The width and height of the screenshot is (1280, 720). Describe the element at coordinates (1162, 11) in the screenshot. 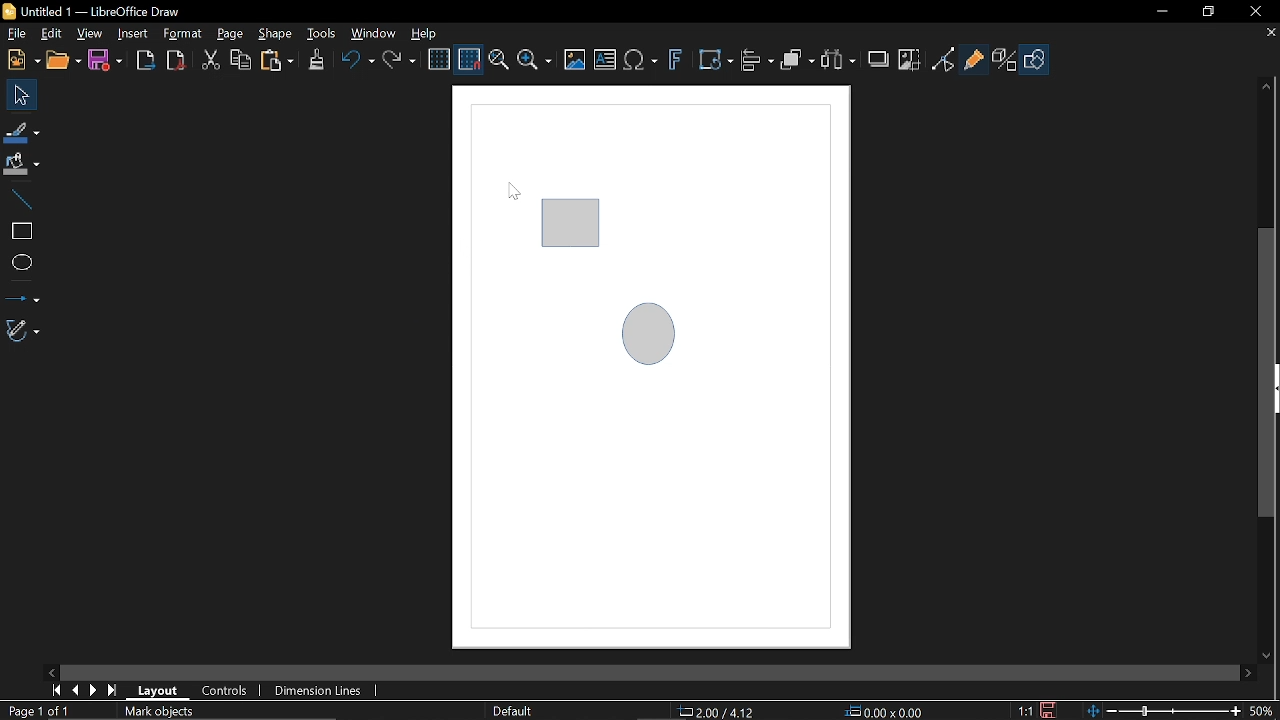

I see `Minimize` at that location.